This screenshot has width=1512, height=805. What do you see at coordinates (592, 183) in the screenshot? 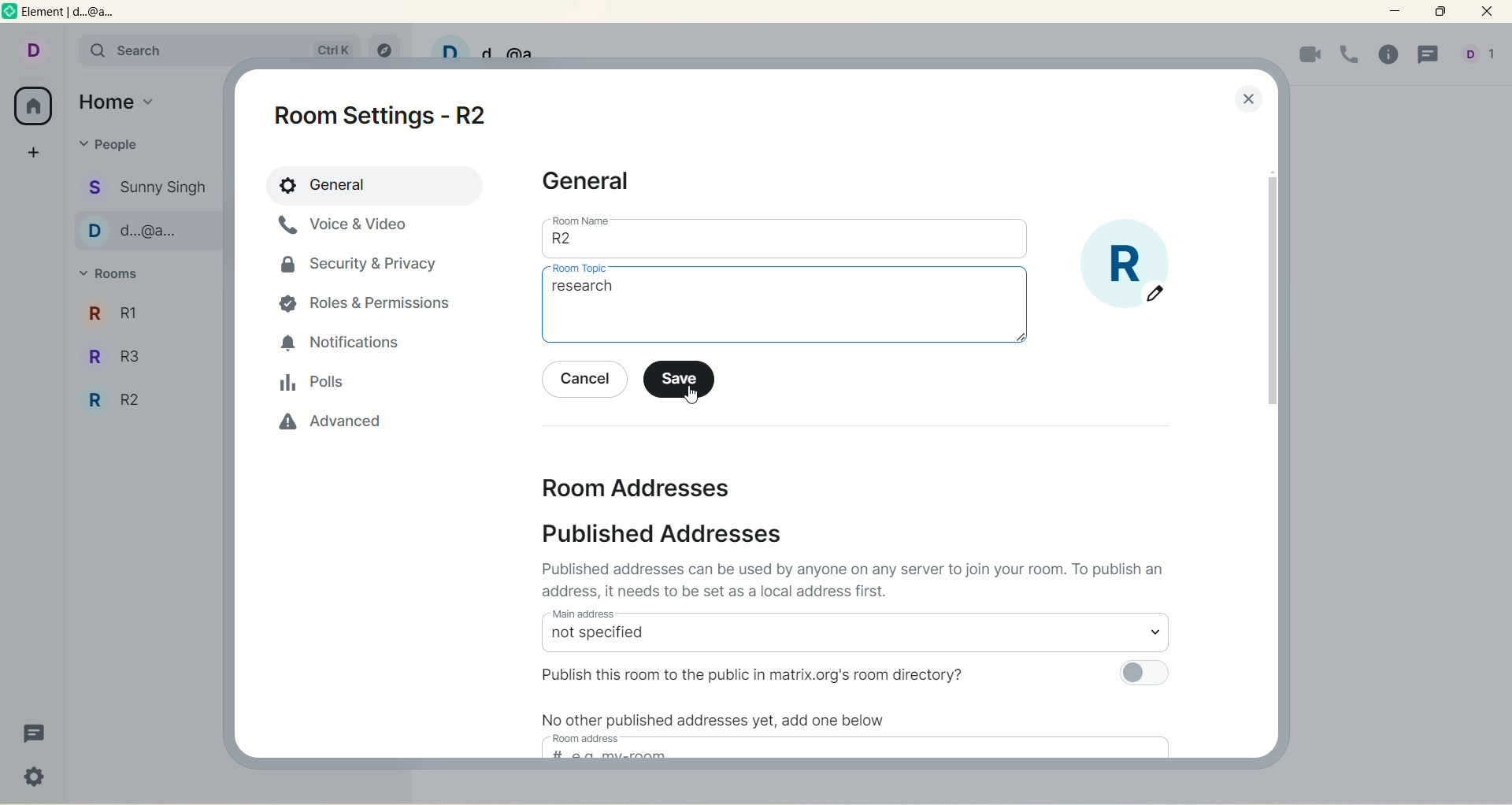
I see `general` at bounding box center [592, 183].